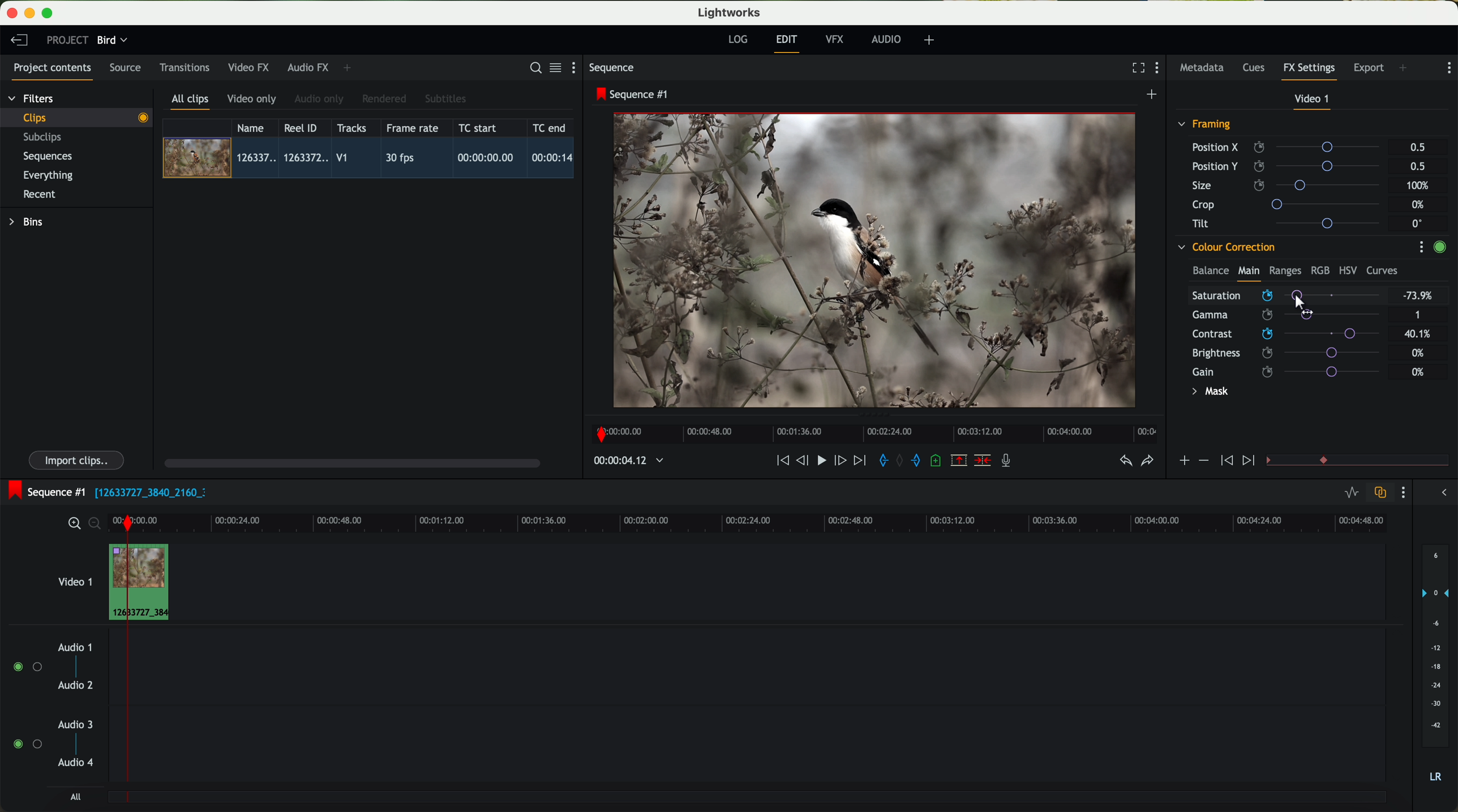  Describe the element at coordinates (76, 763) in the screenshot. I see `audio 4` at that location.